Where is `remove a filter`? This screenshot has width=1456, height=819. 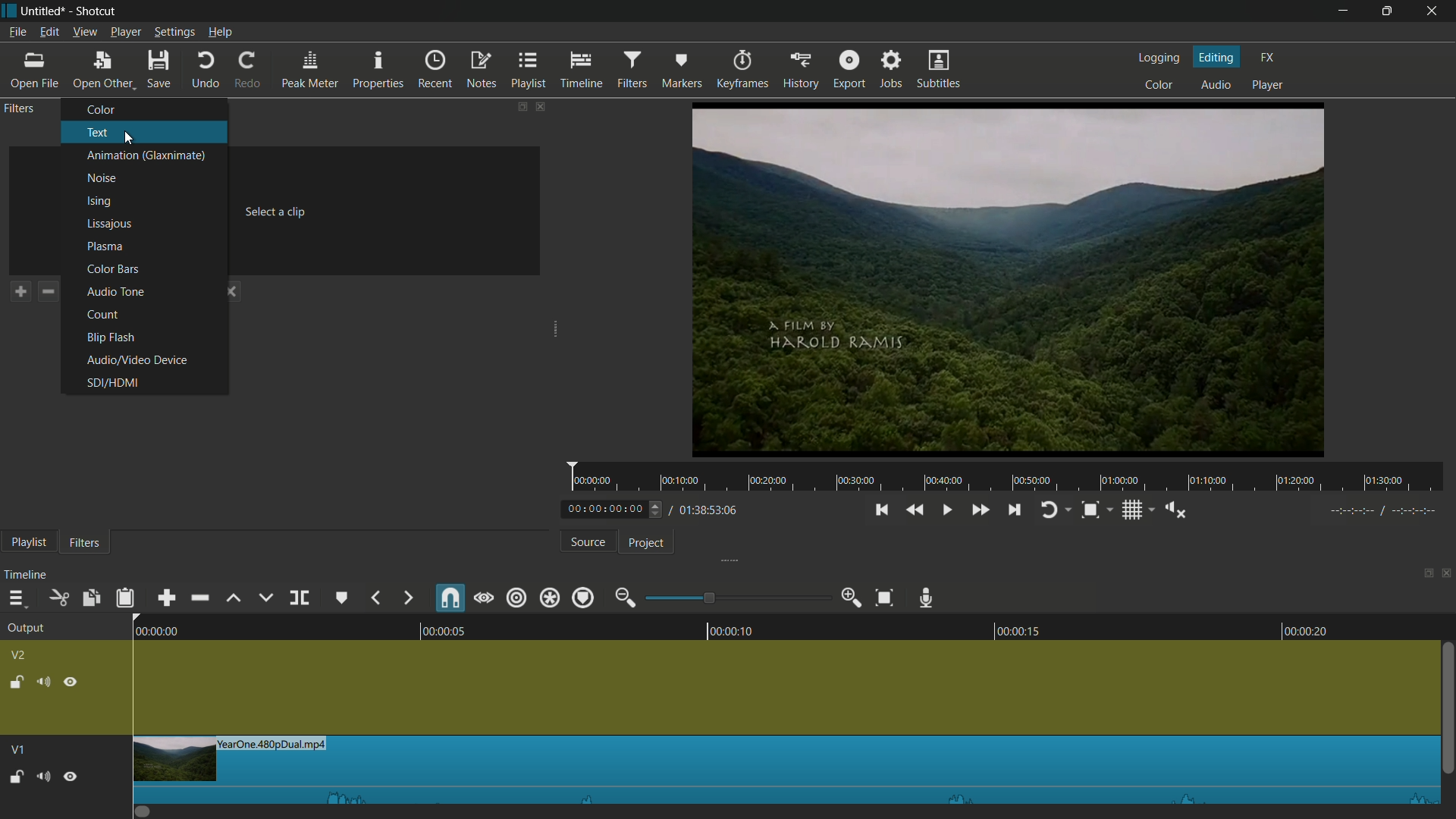
remove a filter is located at coordinates (49, 291).